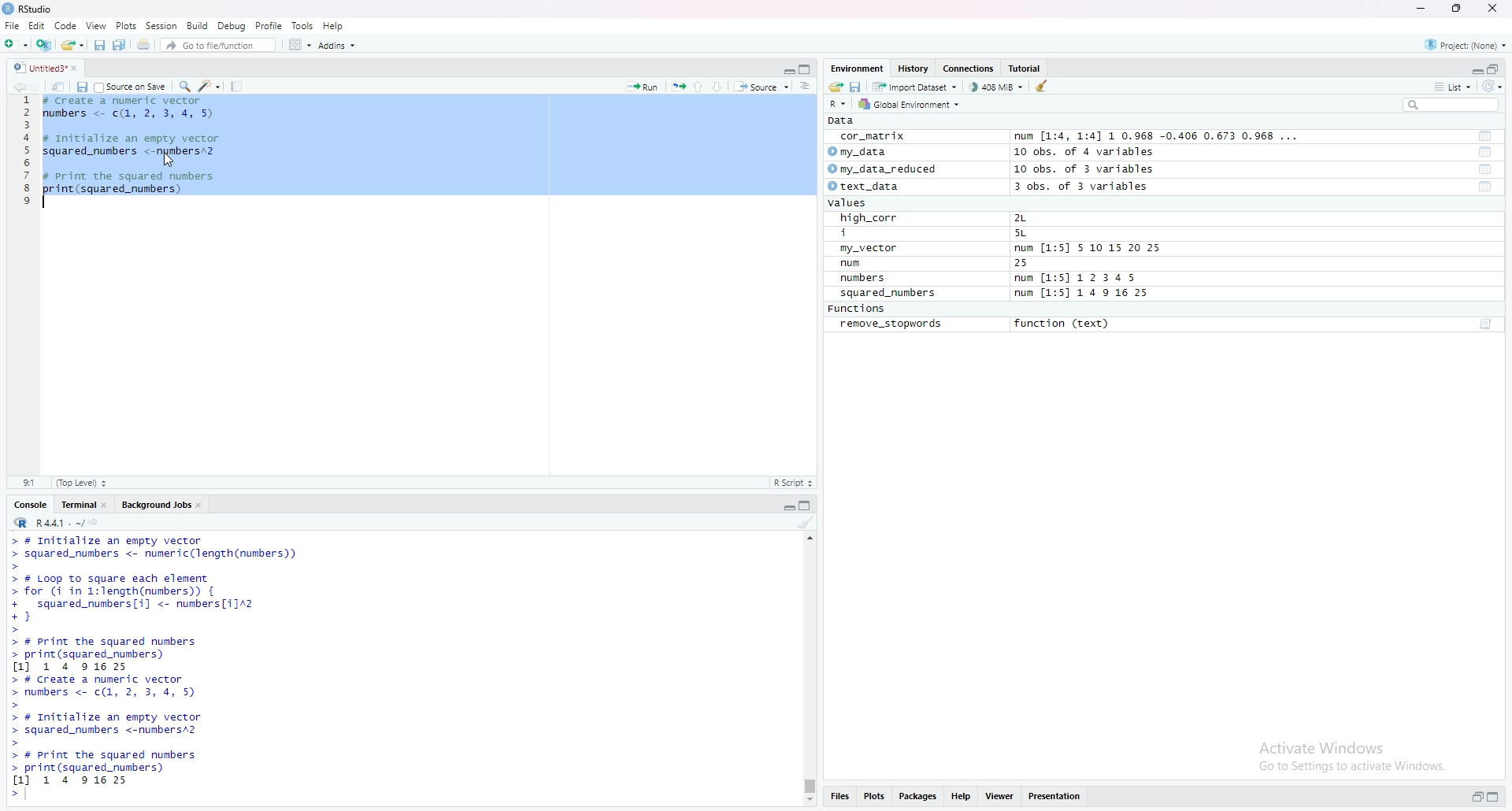 The height and width of the screenshot is (811, 1512). What do you see at coordinates (96, 25) in the screenshot?
I see `View` at bounding box center [96, 25].